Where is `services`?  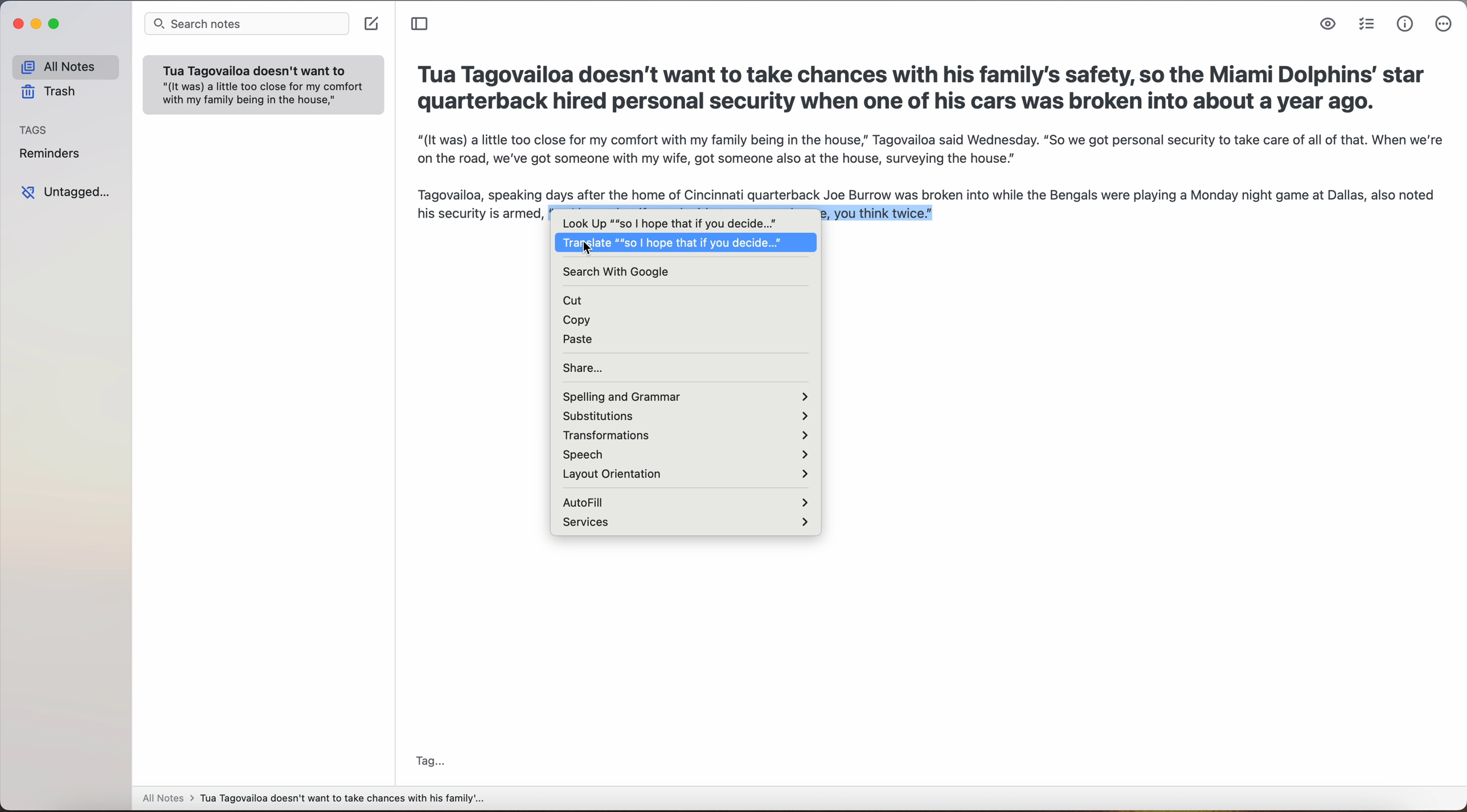 services is located at coordinates (685, 525).